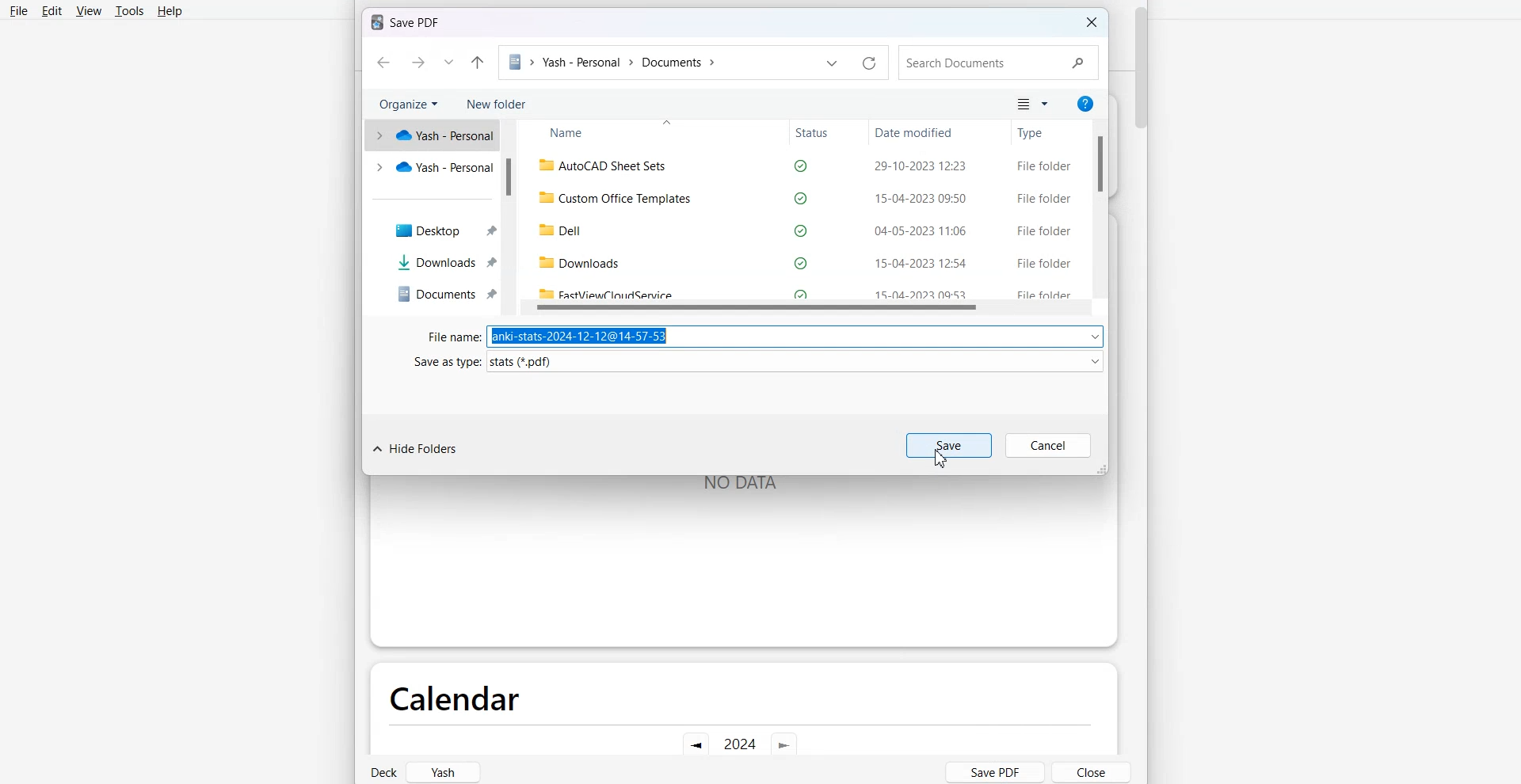 Image resolution: width=1521 pixels, height=784 pixels. What do you see at coordinates (503, 104) in the screenshot?
I see `New folder` at bounding box center [503, 104].